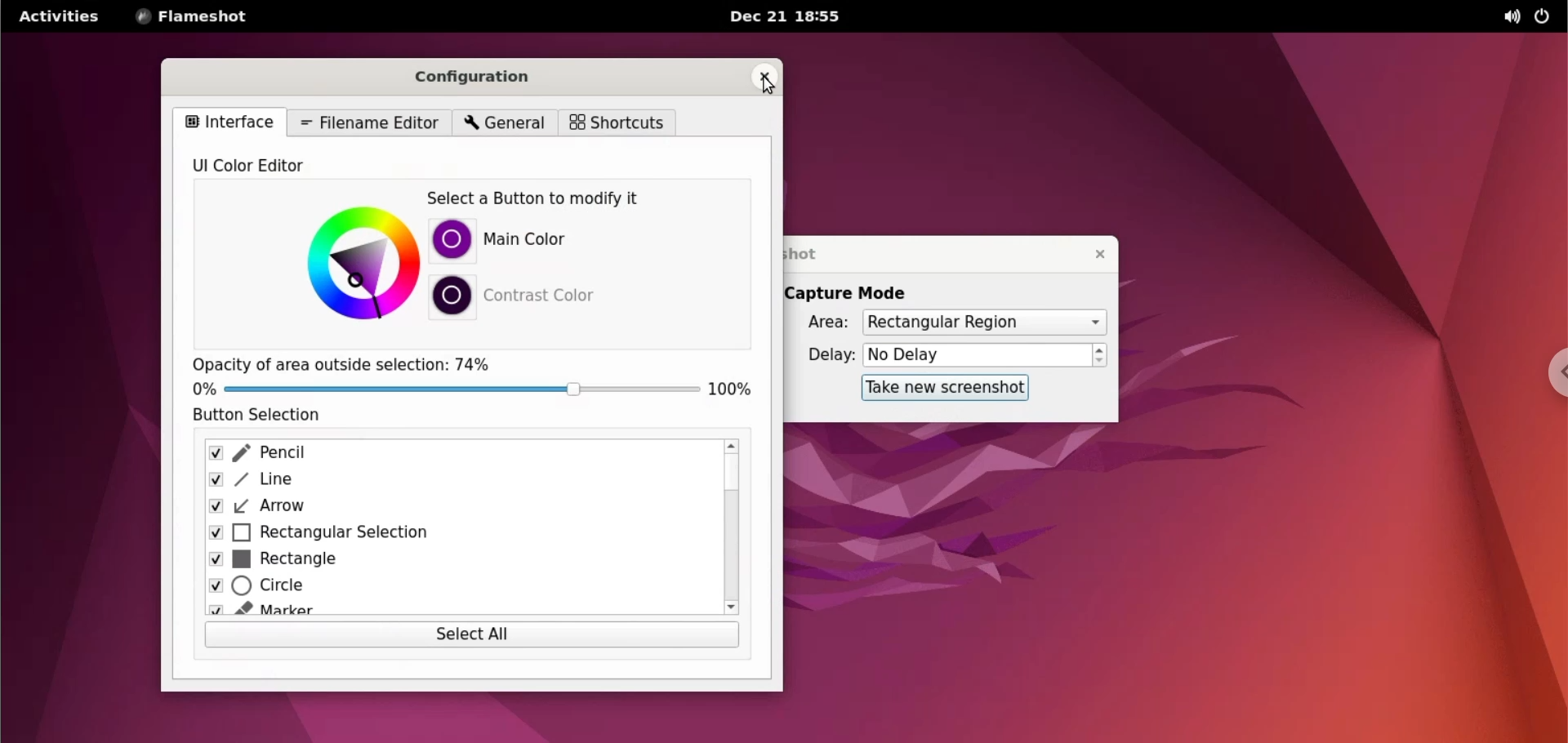 Image resolution: width=1568 pixels, height=743 pixels. What do you see at coordinates (851, 293) in the screenshot?
I see `capture mode` at bounding box center [851, 293].